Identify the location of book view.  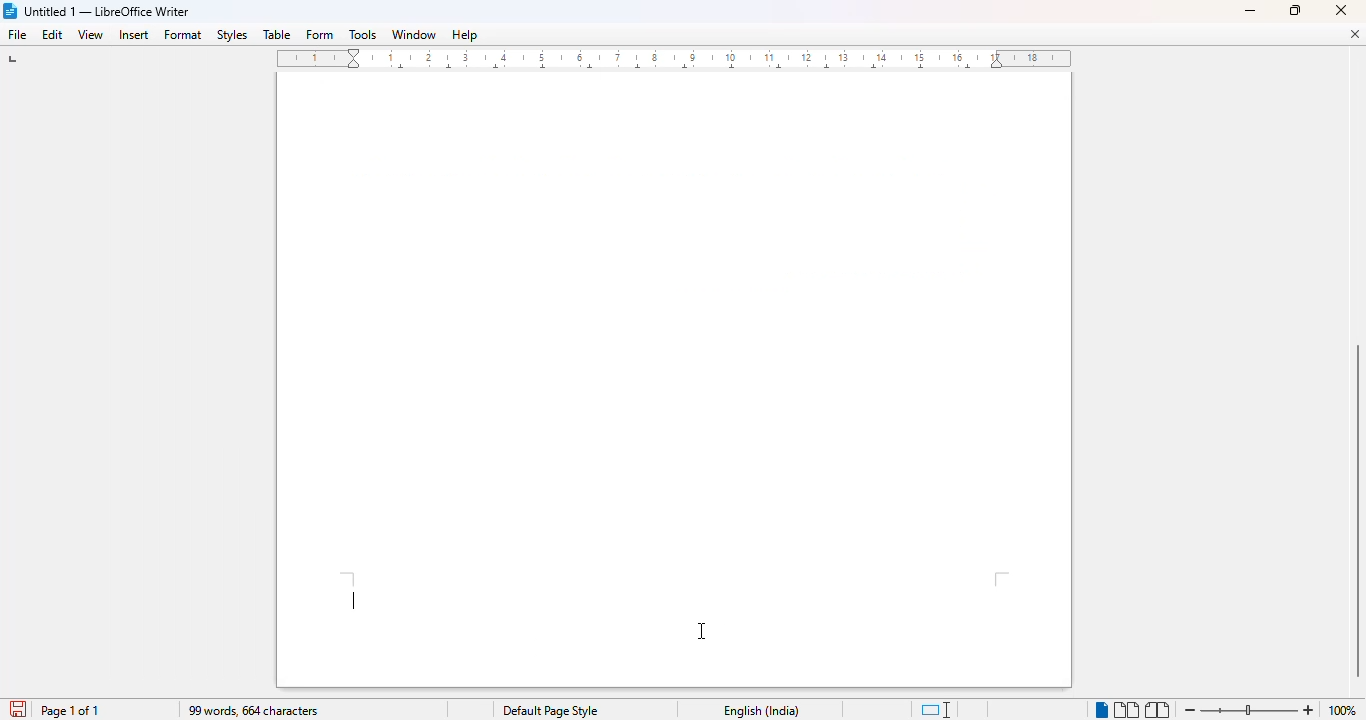
(1156, 710).